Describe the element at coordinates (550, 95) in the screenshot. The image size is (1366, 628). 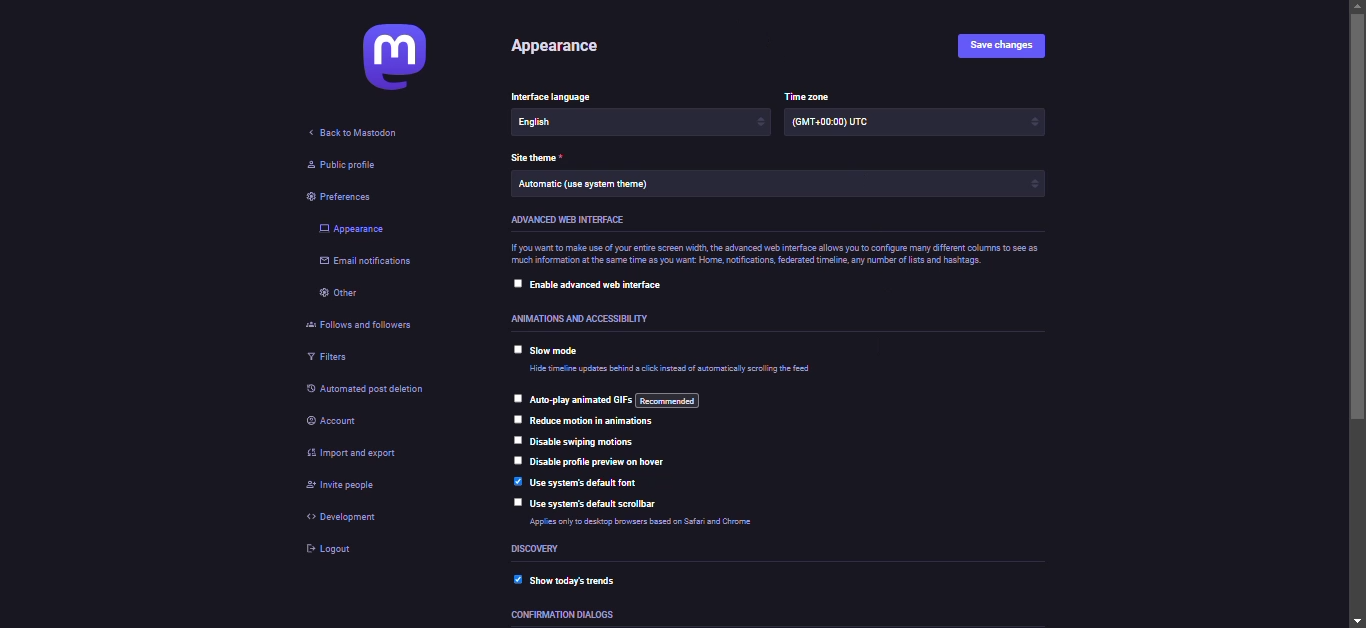
I see `language` at that location.